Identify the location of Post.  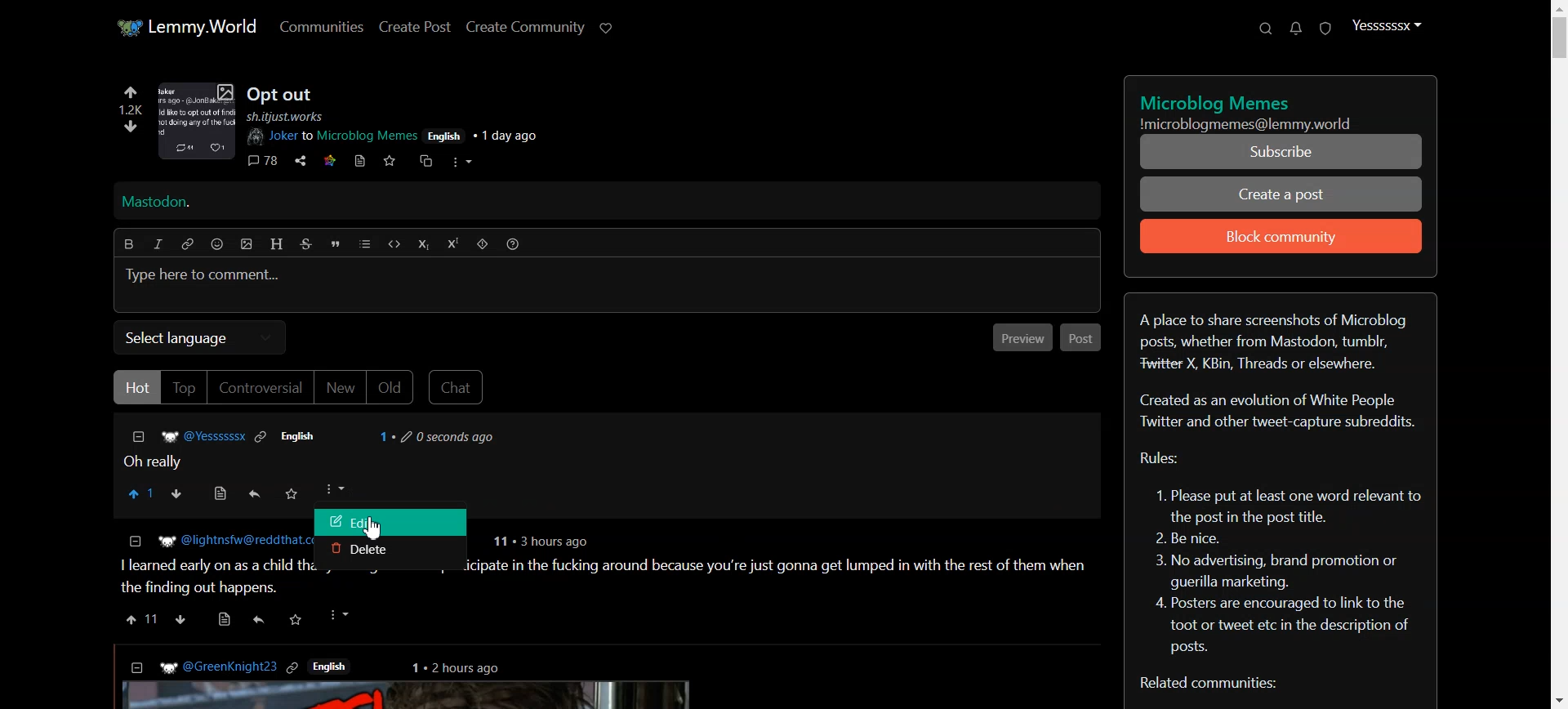
(1083, 337).